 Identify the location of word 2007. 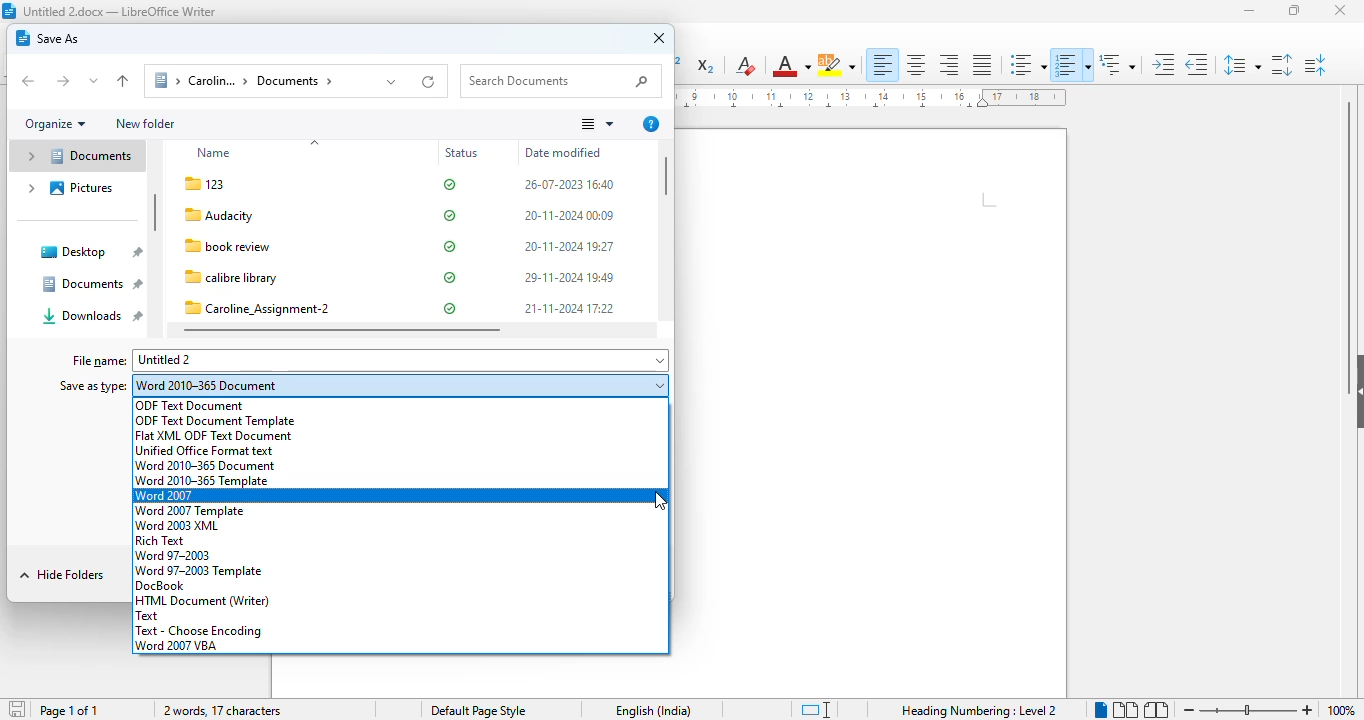
(174, 495).